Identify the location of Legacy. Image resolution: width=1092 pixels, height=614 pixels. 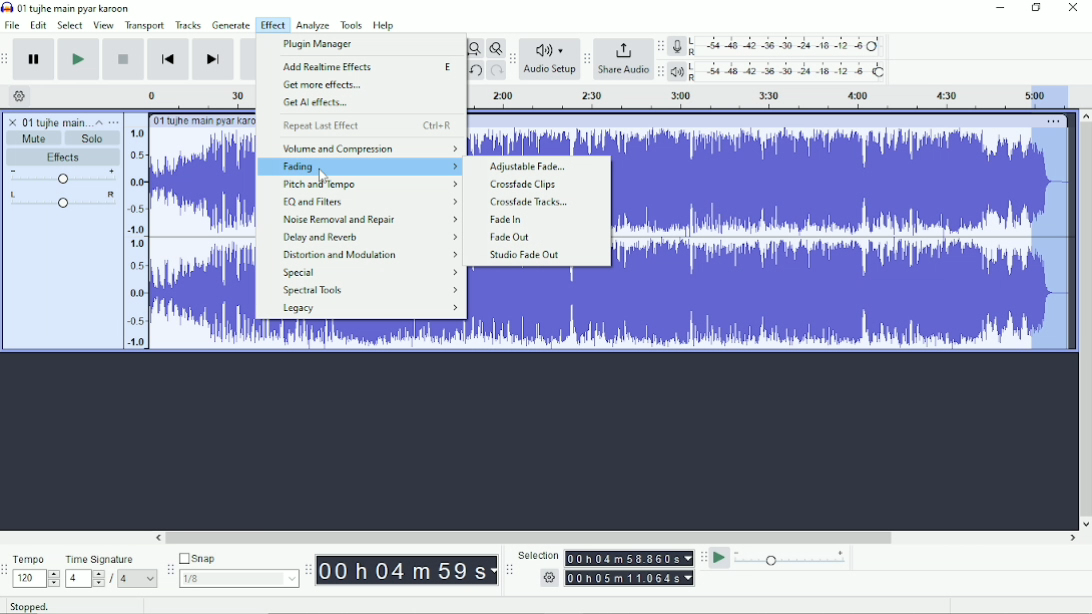
(369, 310).